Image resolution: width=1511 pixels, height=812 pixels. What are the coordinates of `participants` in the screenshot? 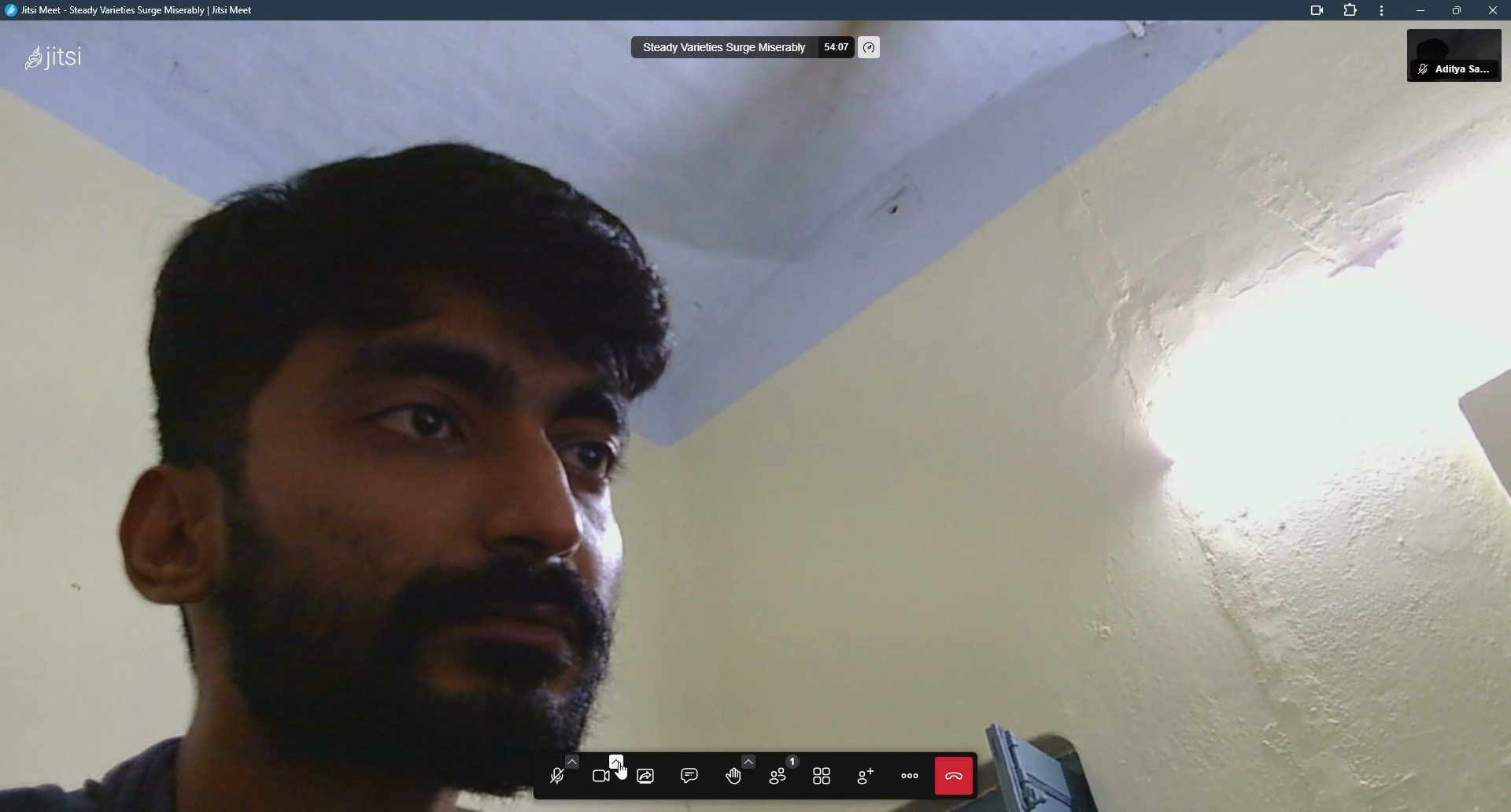 It's located at (779, 773).